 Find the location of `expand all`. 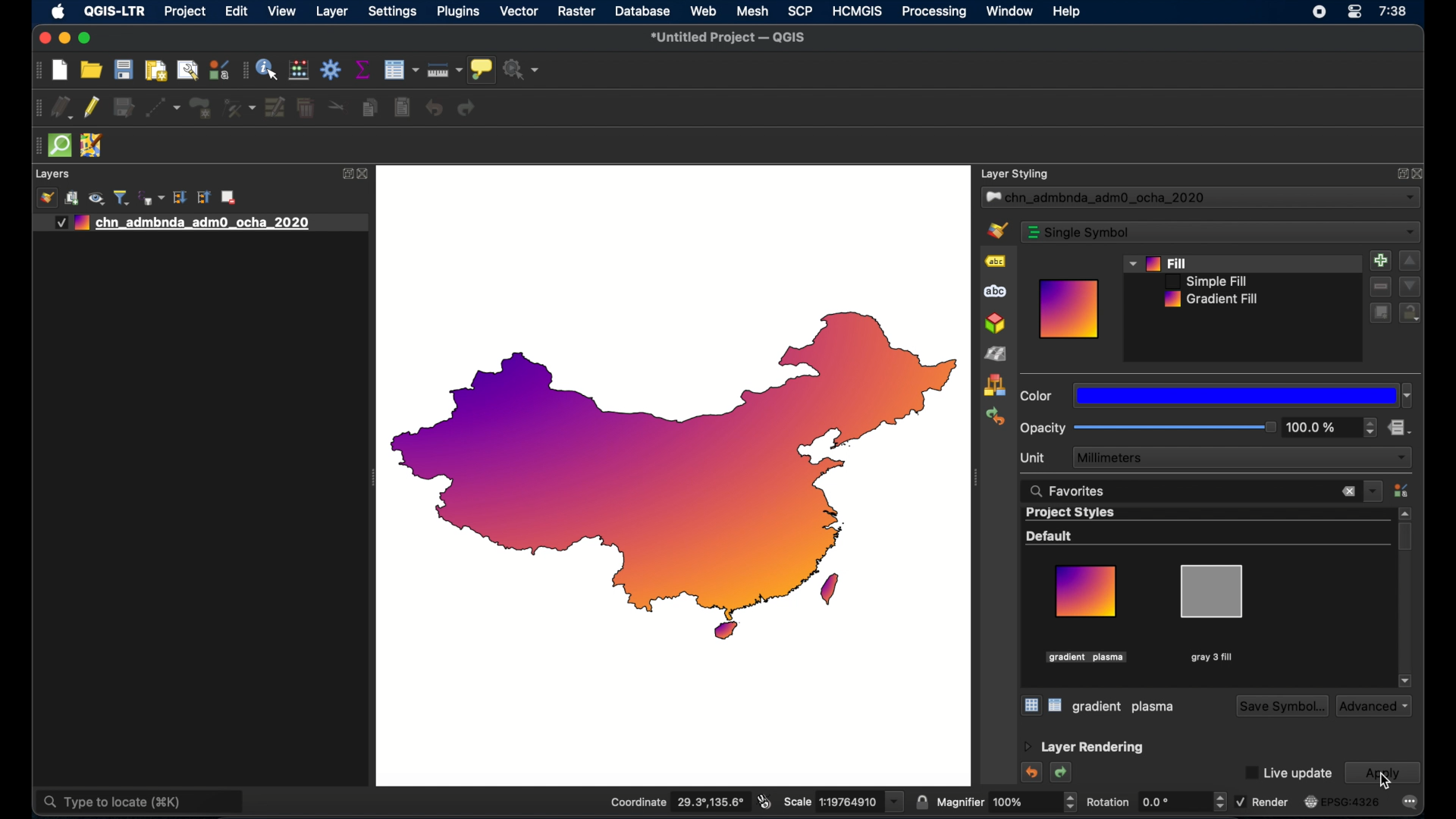

expand all is located at coordinates (180, 199).